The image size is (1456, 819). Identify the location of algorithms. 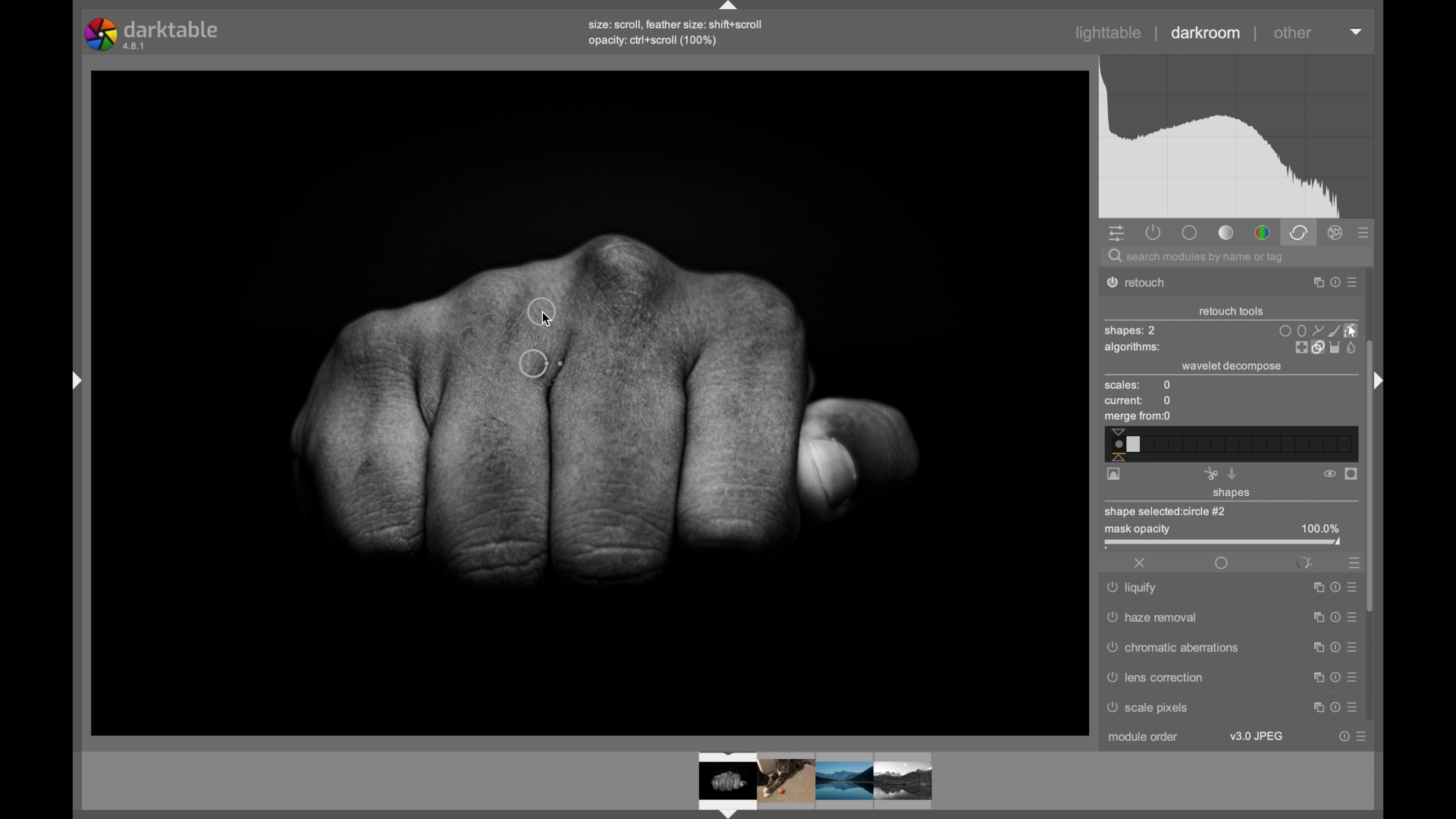
(1134, 349).